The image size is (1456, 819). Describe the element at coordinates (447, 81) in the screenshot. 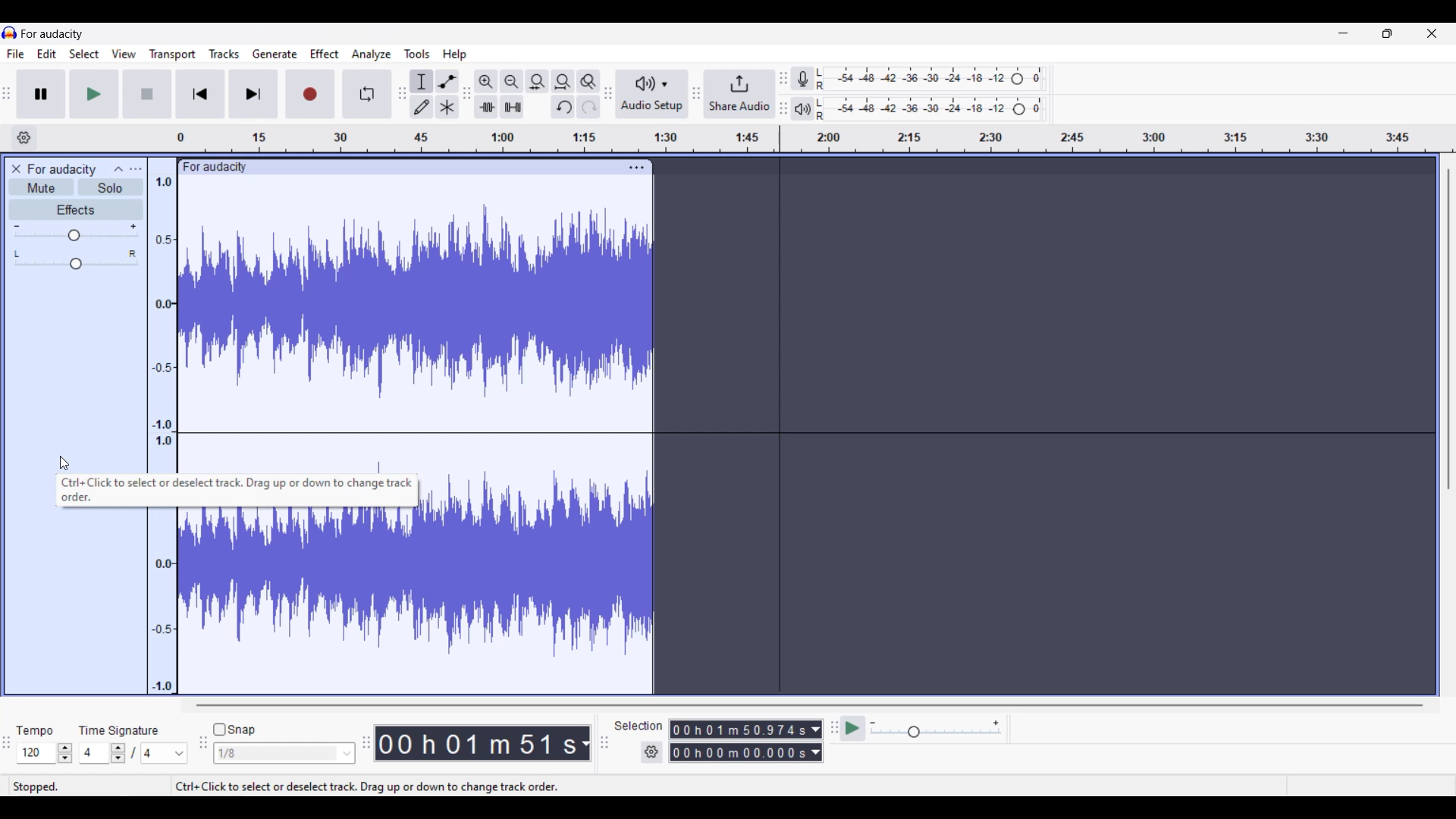

I see `Envelop tool` at that location.